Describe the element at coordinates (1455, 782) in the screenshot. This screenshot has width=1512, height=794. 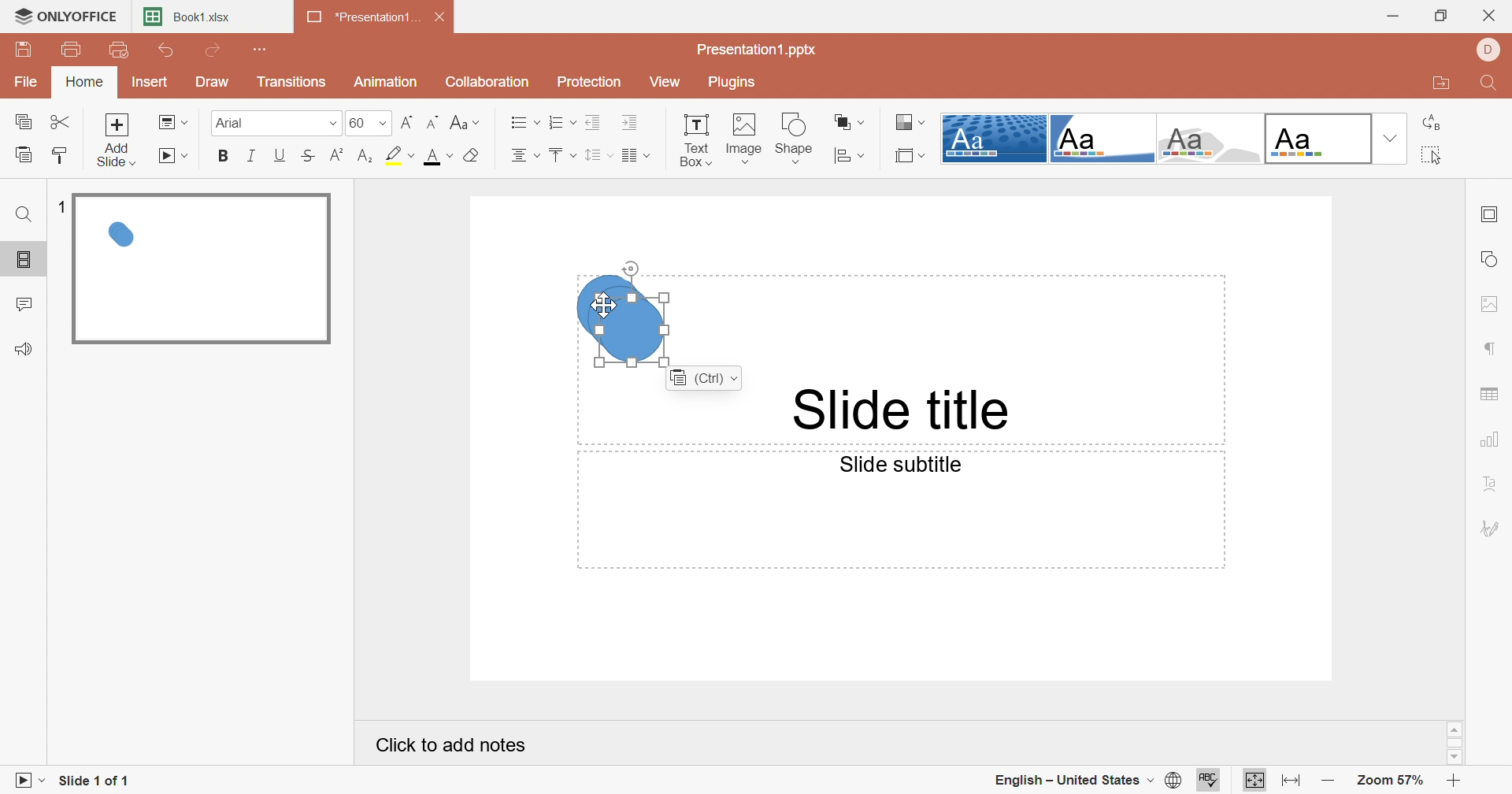
I see `Zoom in` at that location.